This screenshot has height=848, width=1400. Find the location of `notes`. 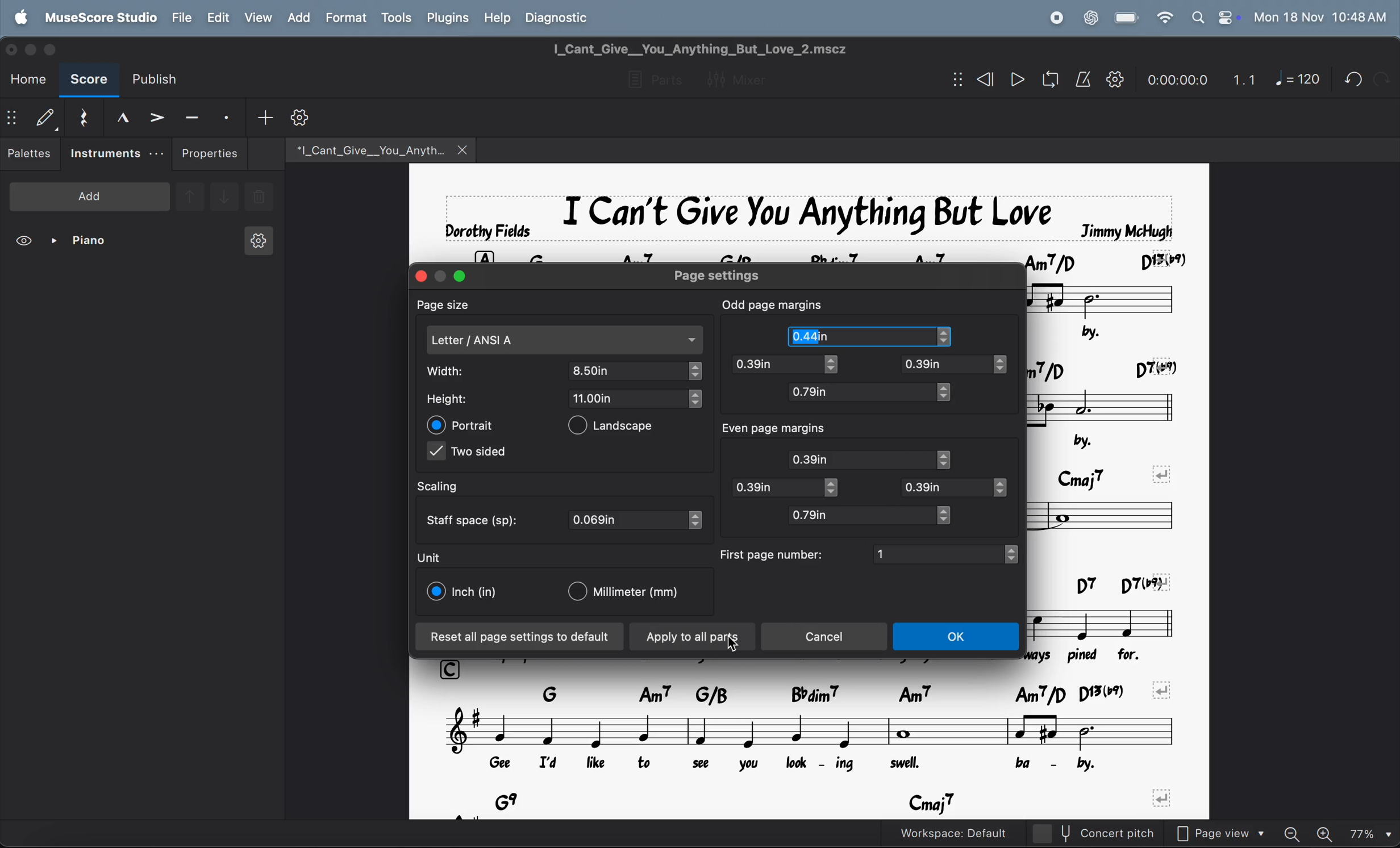

notes is located at coordinates (813, 730).